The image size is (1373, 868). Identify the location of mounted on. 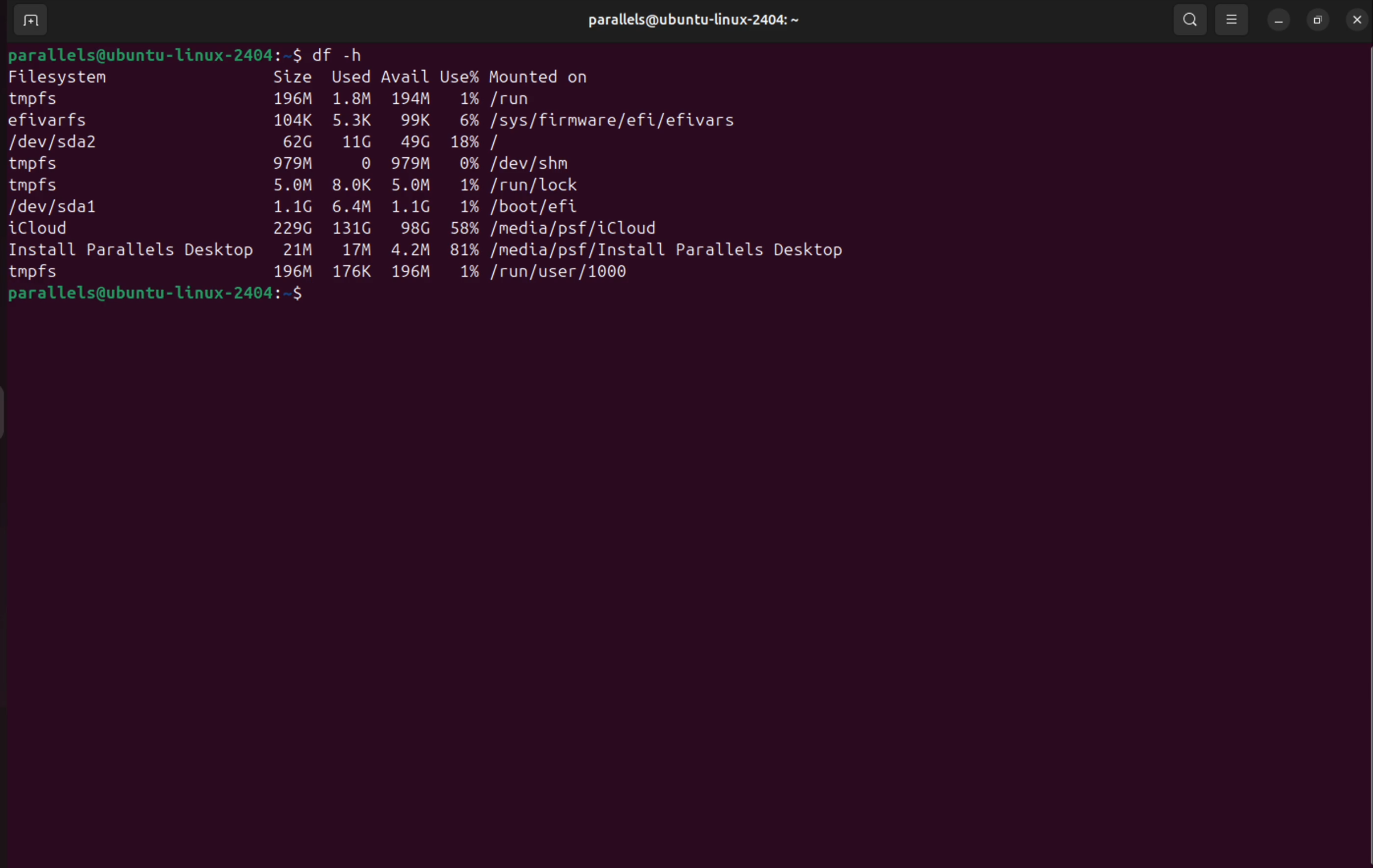
(536, 76).